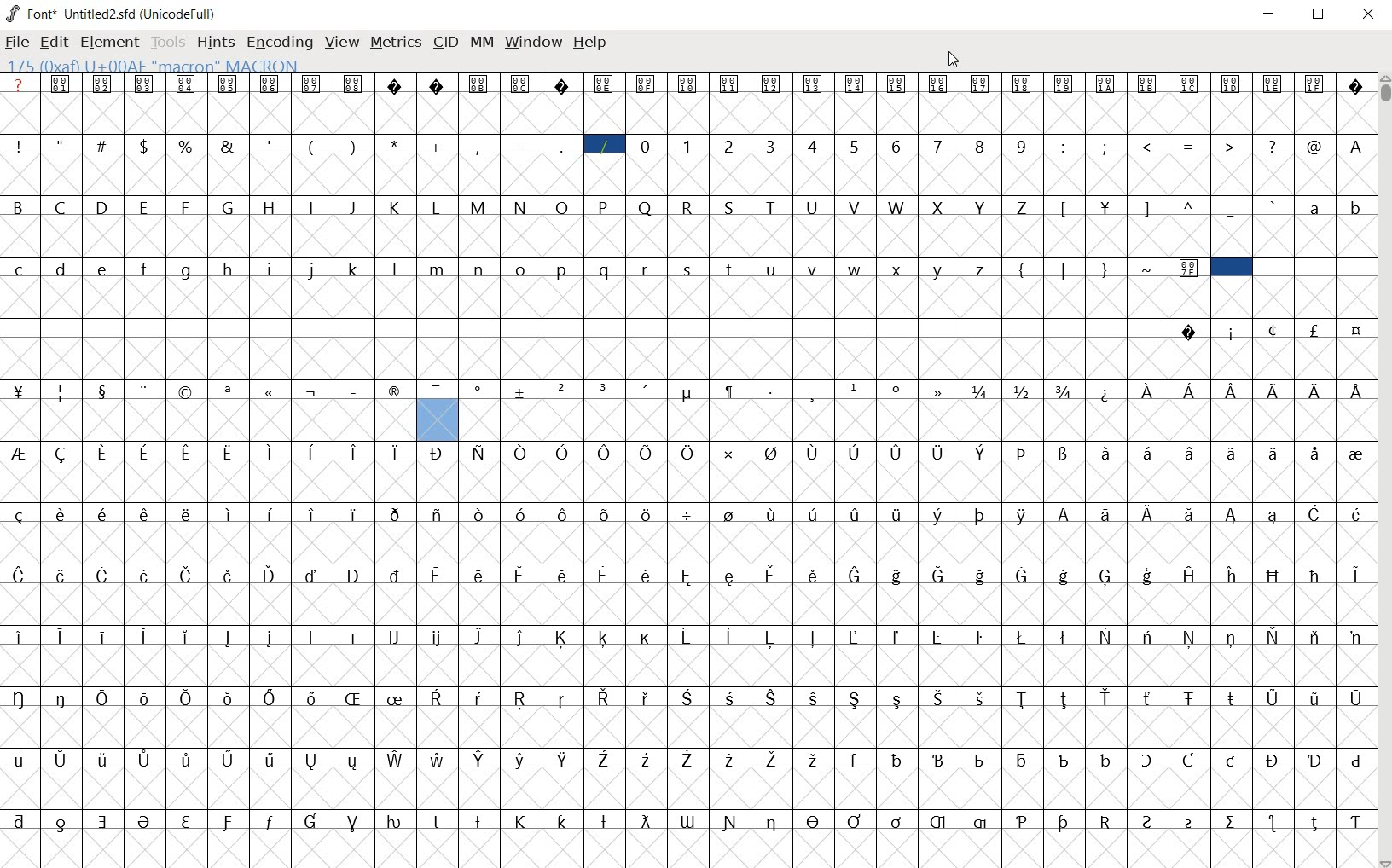  What do you see at coordinates (270, 146) in the screenshot?
I see `'` at bounding box center [270, 146].